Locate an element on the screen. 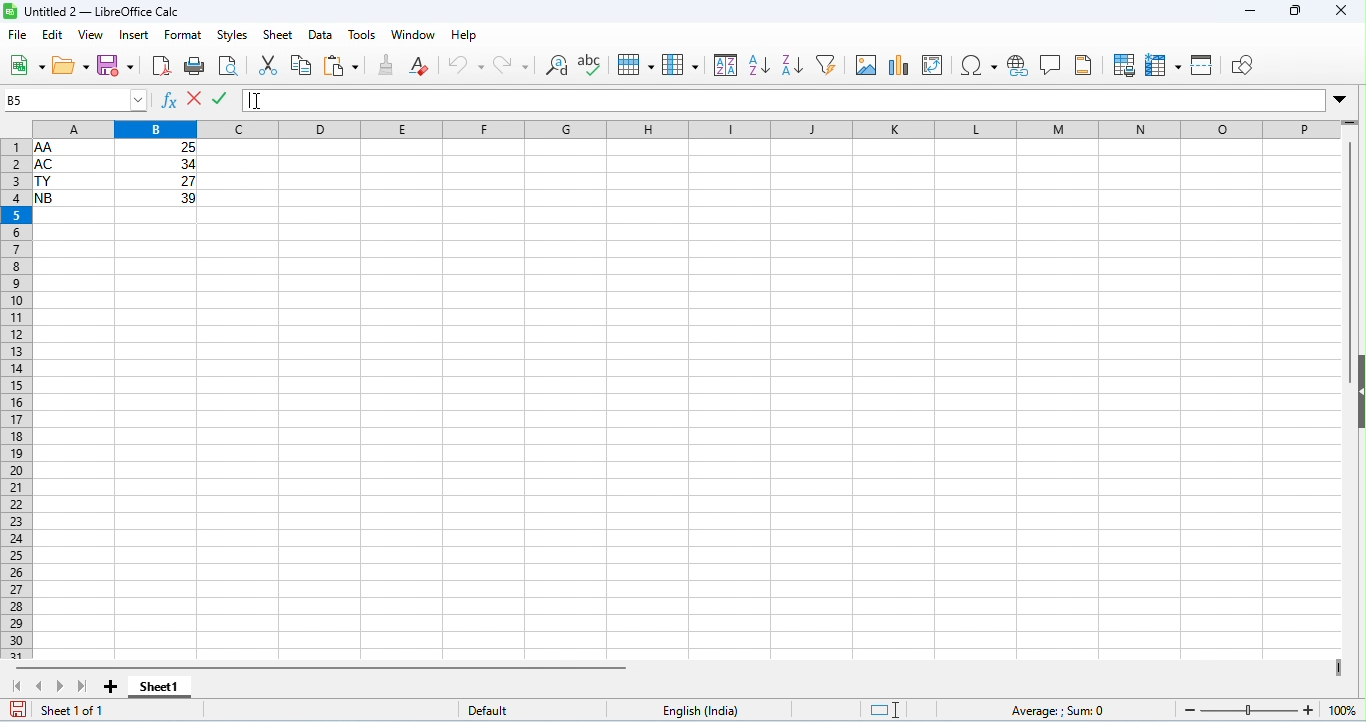 The width and height of the screenshot is (1366, 722). standard selection is located at coordinates (887, 710).